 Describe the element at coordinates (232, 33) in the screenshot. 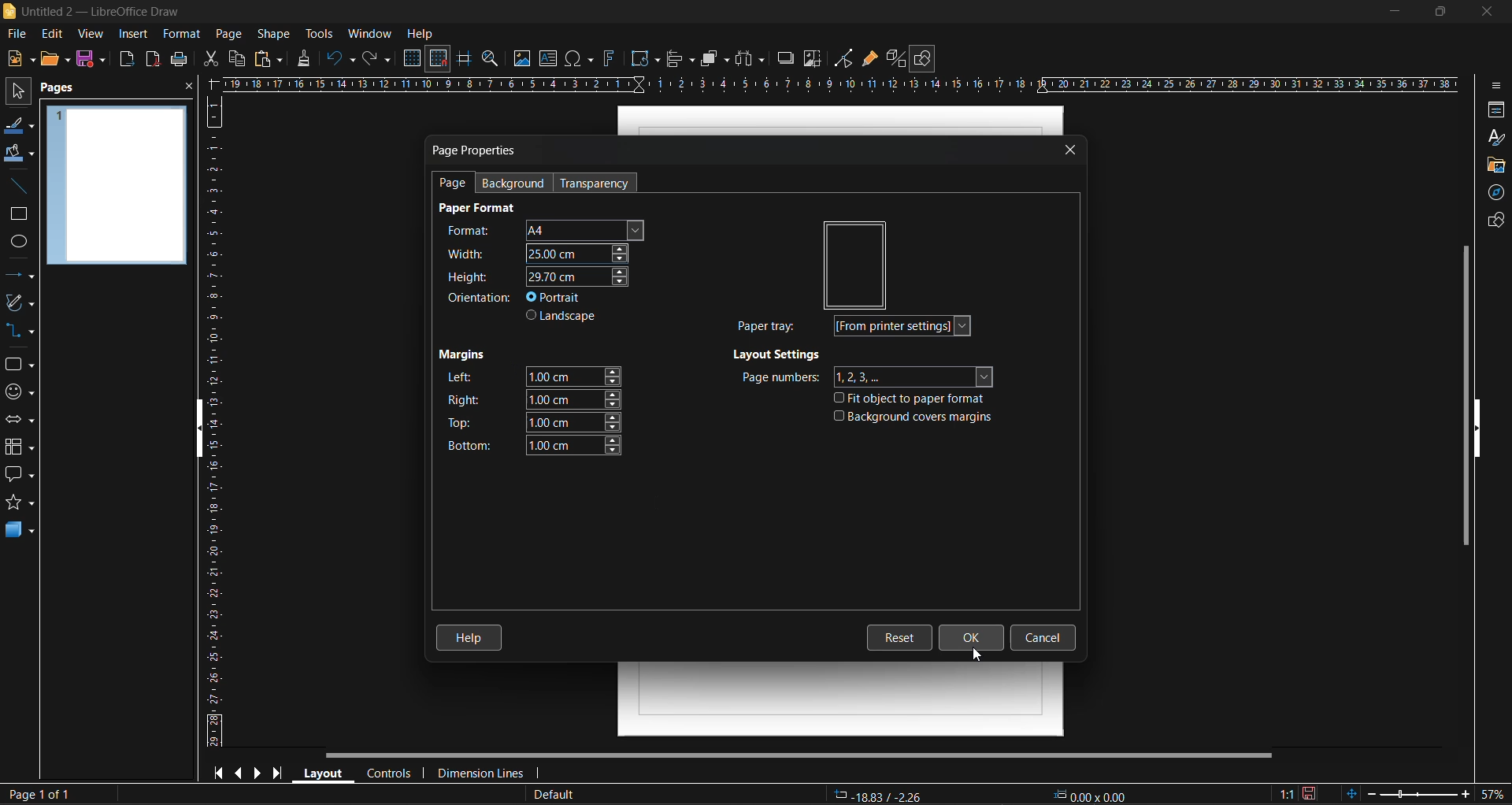

I see `page` at that location.